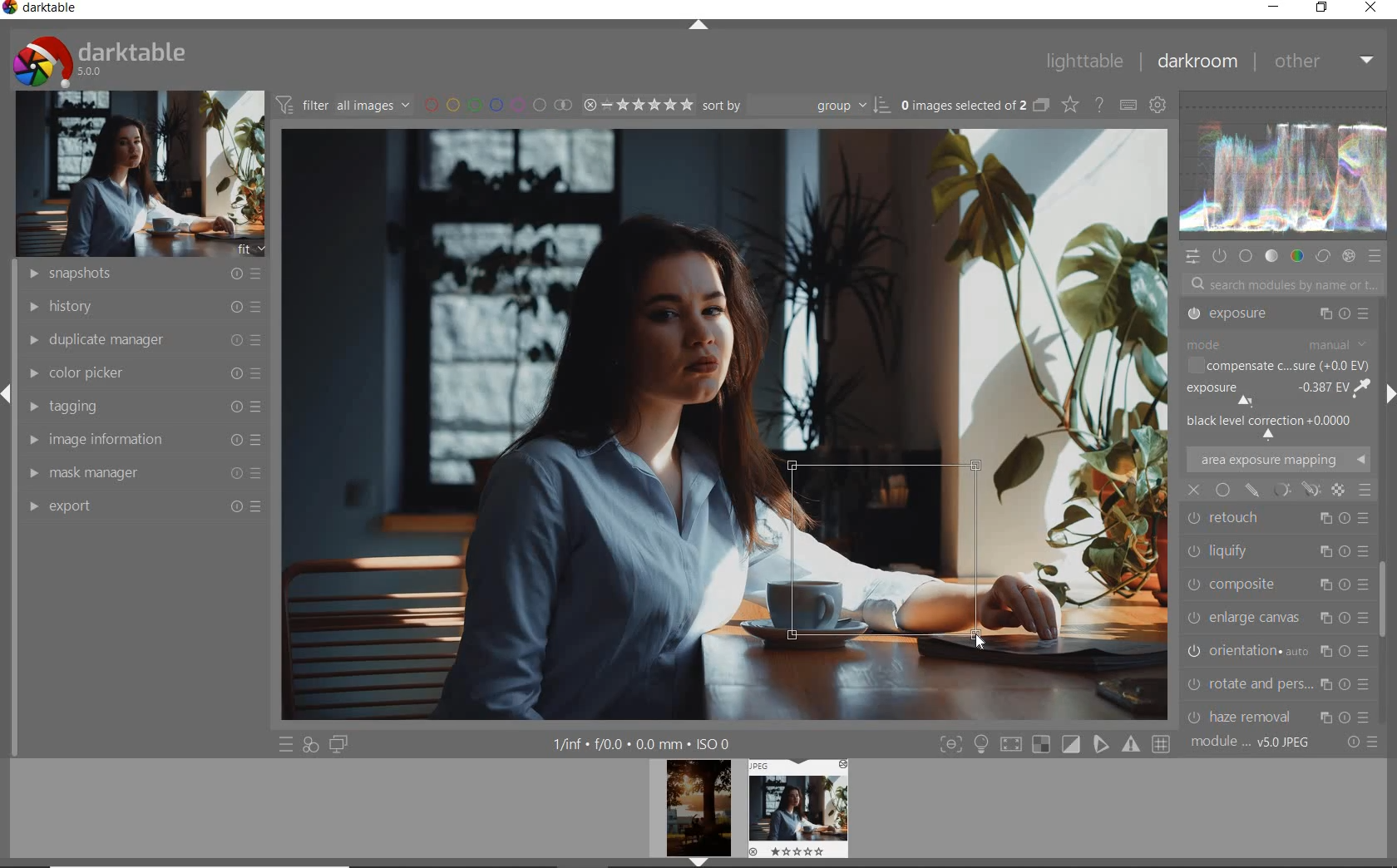 This screenshot has height=868, width=1397. Describe the element at coordinates (1271, 256) in the screenshot. I see `TONE` at that location.